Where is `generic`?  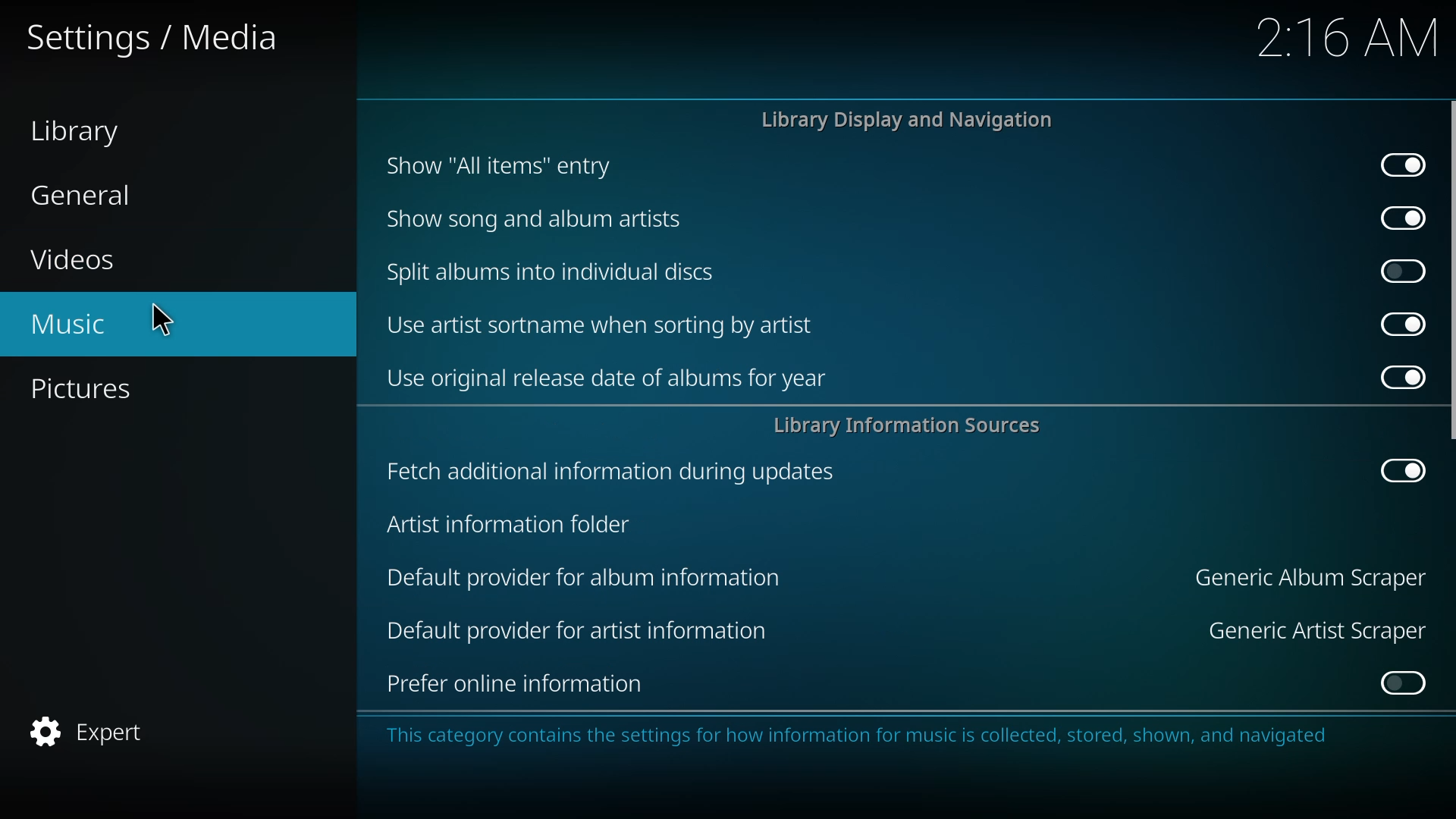
generic is located at coordinates (1307, 629).